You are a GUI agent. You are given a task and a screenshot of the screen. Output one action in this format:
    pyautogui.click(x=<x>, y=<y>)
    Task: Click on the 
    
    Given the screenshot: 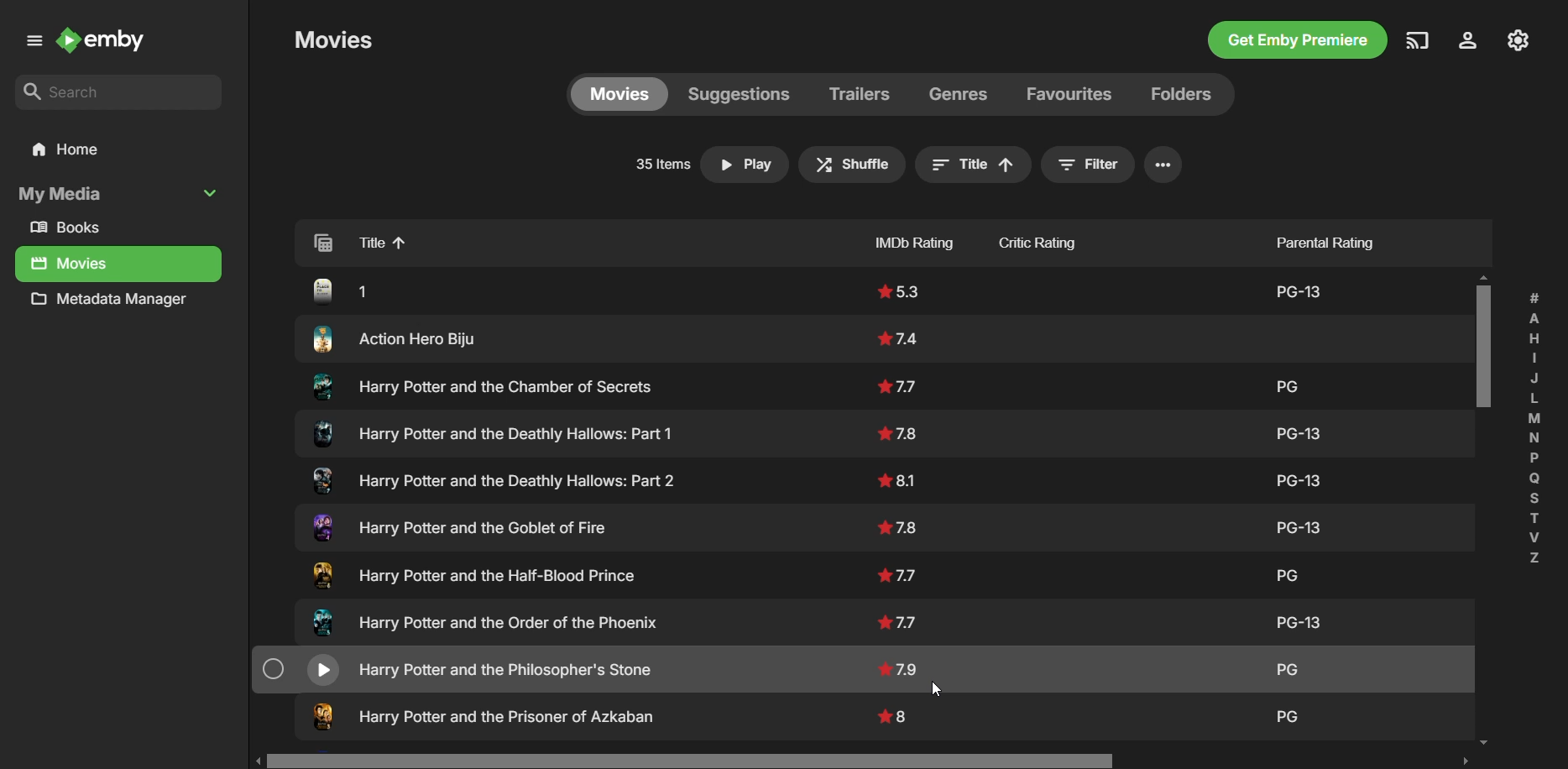 What is the action you would take?
    pyautogui.click(x=941, y=682)
    